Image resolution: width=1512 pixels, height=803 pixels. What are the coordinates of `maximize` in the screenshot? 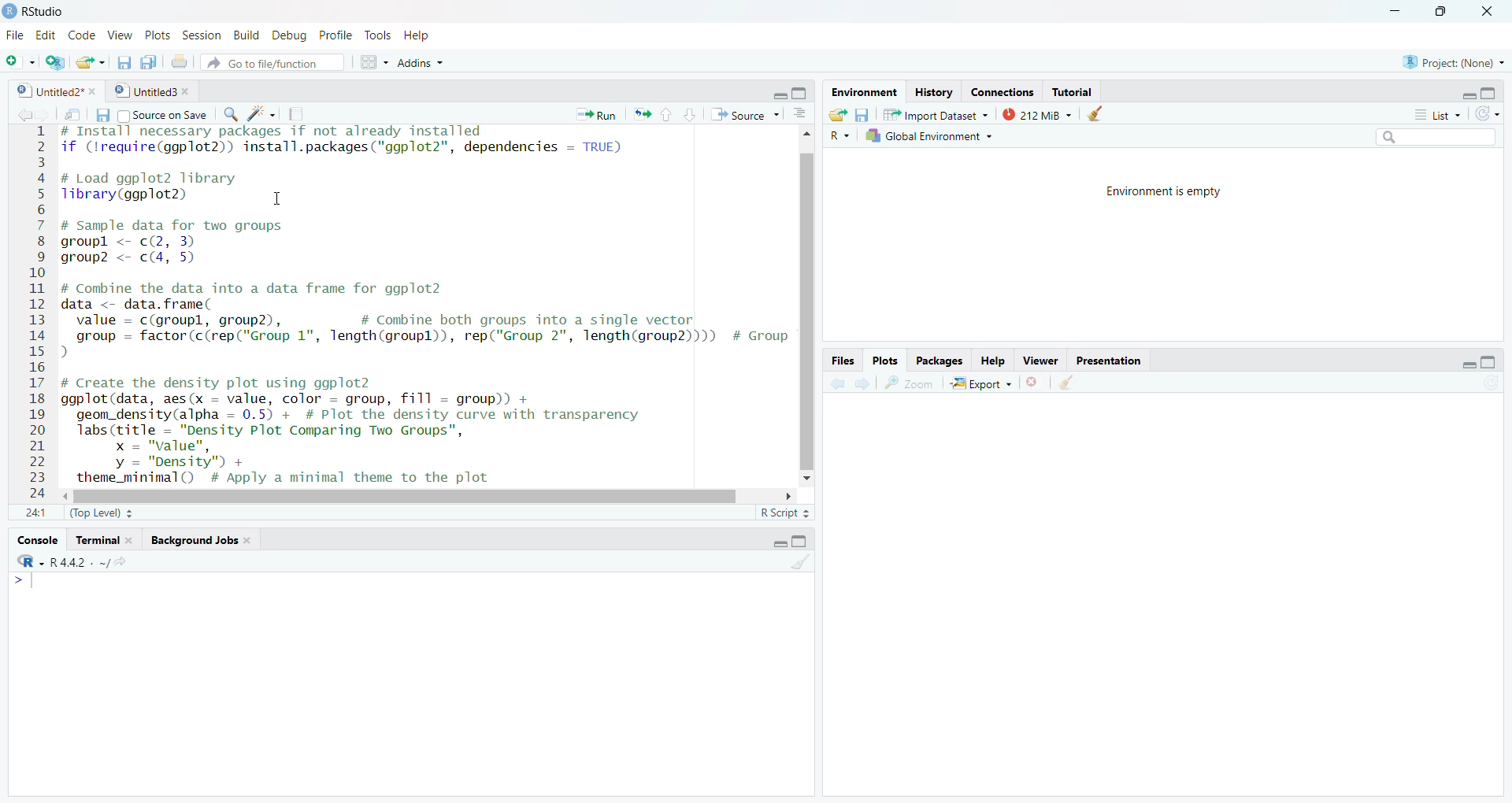 It's located at (1495, 94).